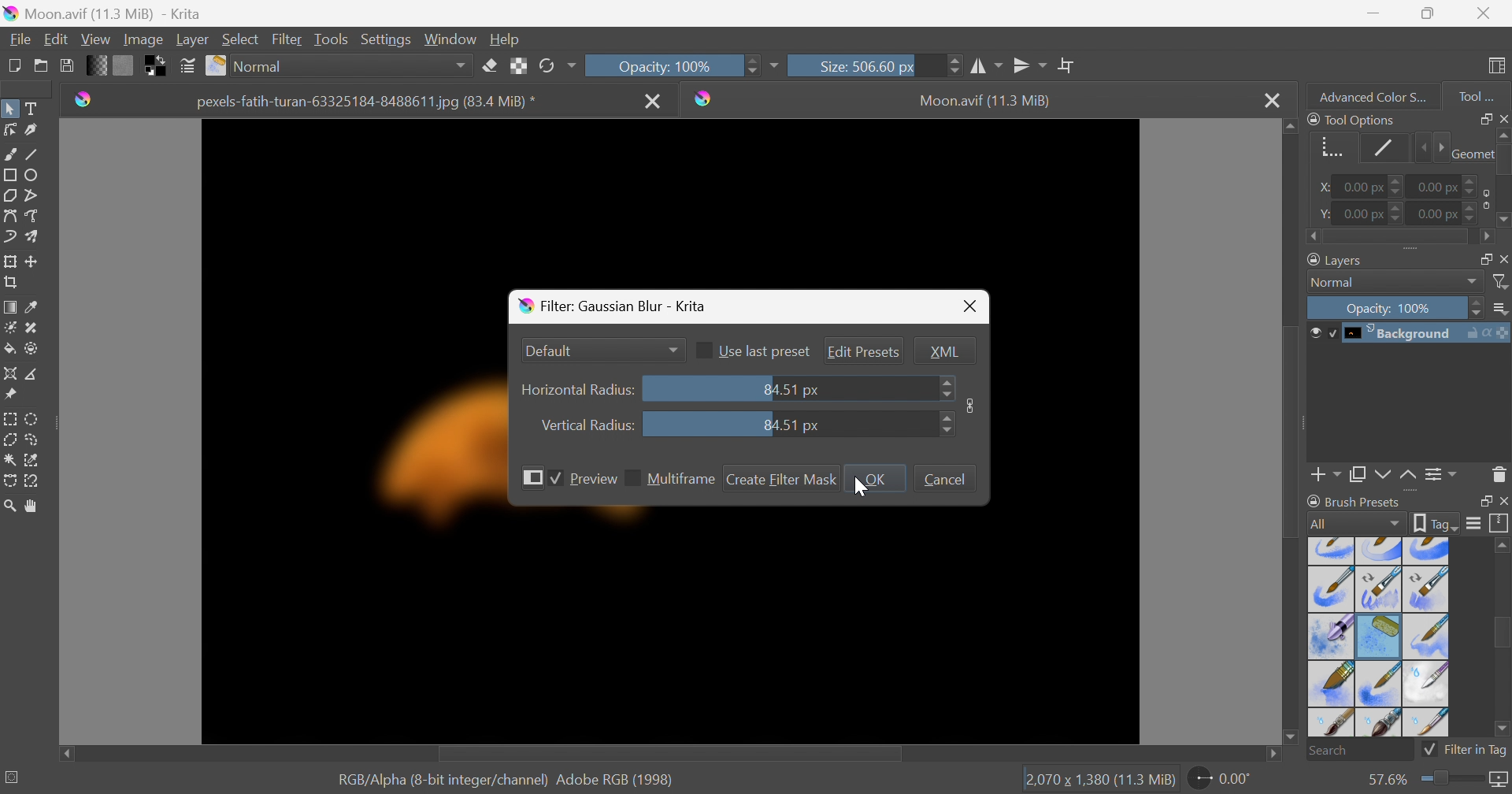 The image size is (1512, 794). I want to click on 0.00 px, so click(1368, 213).